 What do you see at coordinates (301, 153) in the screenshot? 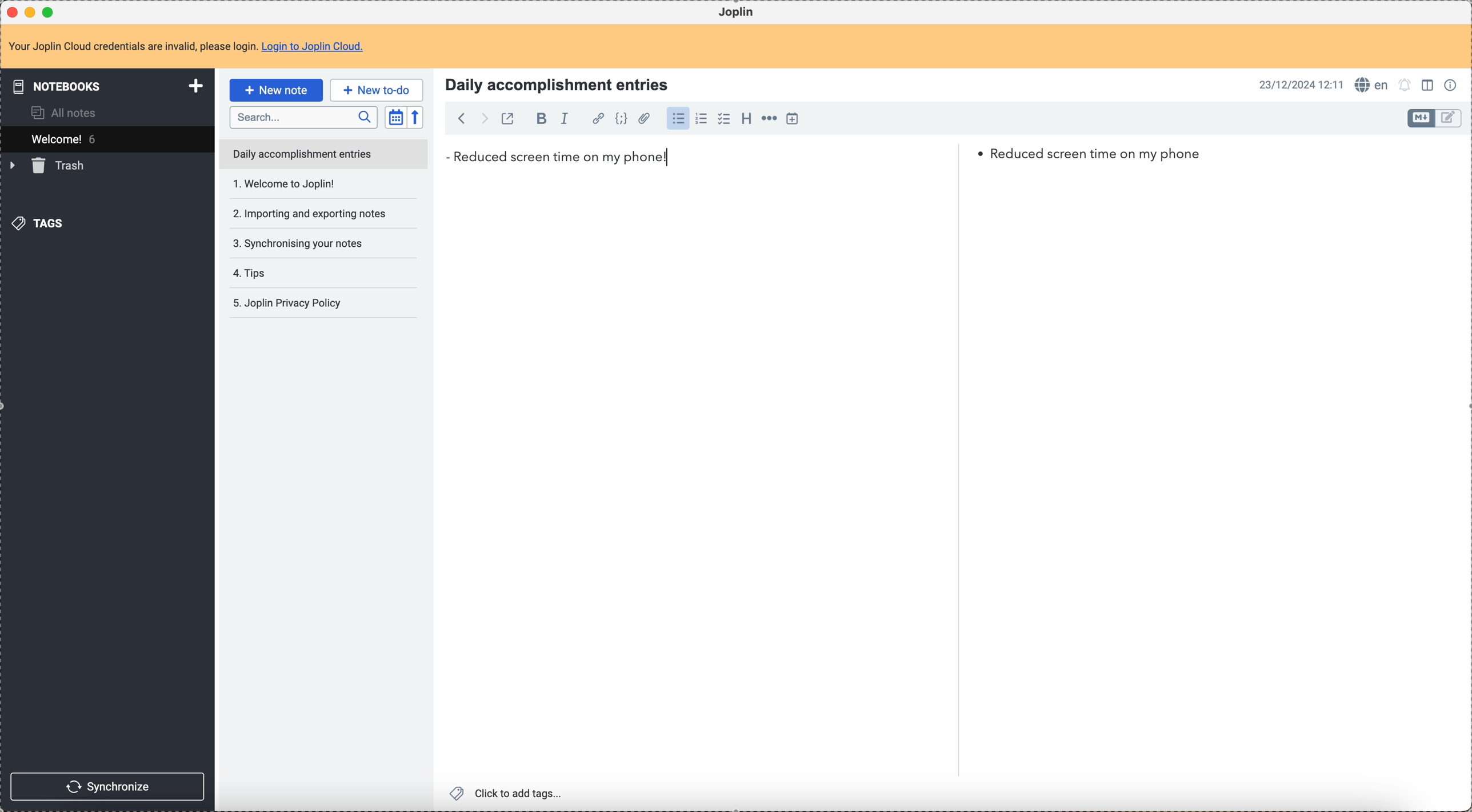
I see `daily accomplishment entries` at bounding box center [301, 153].